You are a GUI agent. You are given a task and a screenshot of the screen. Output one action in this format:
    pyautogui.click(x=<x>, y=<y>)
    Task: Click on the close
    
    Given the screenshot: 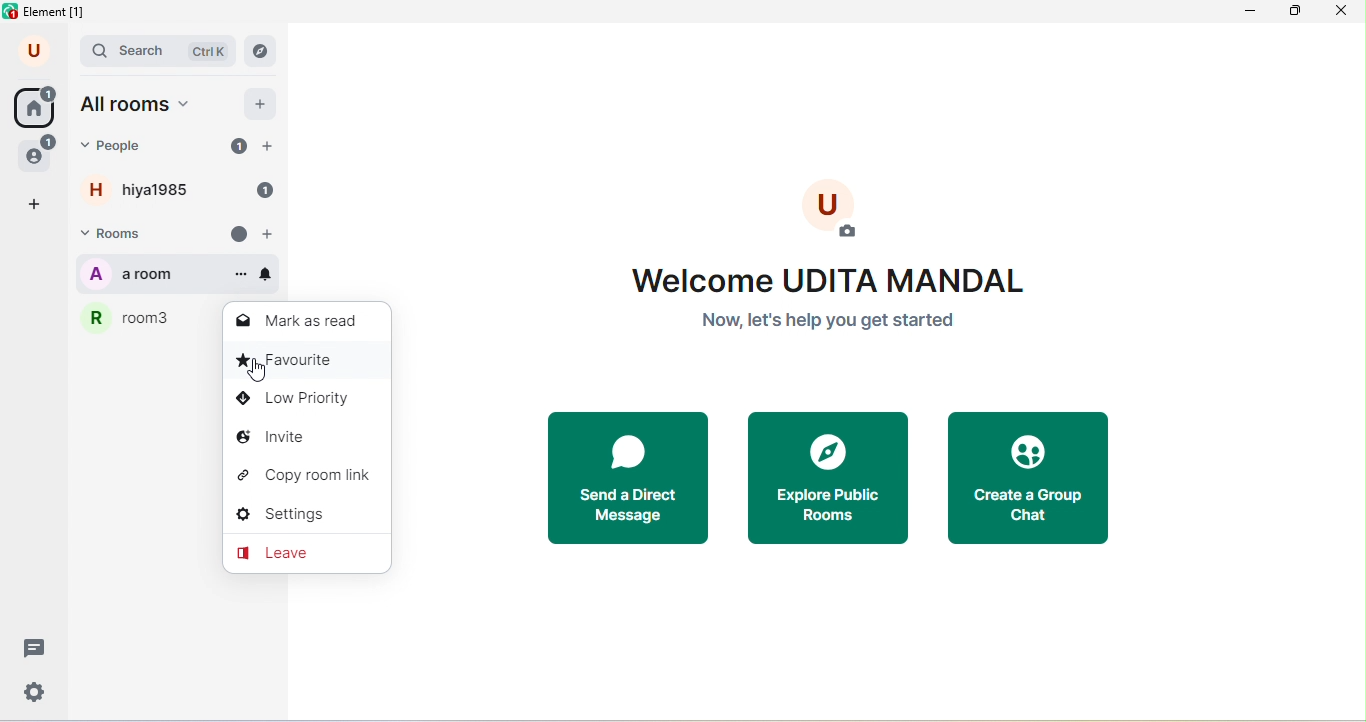 What is the action you would take?
    pyautogui.click(x=1346, y=13)
    